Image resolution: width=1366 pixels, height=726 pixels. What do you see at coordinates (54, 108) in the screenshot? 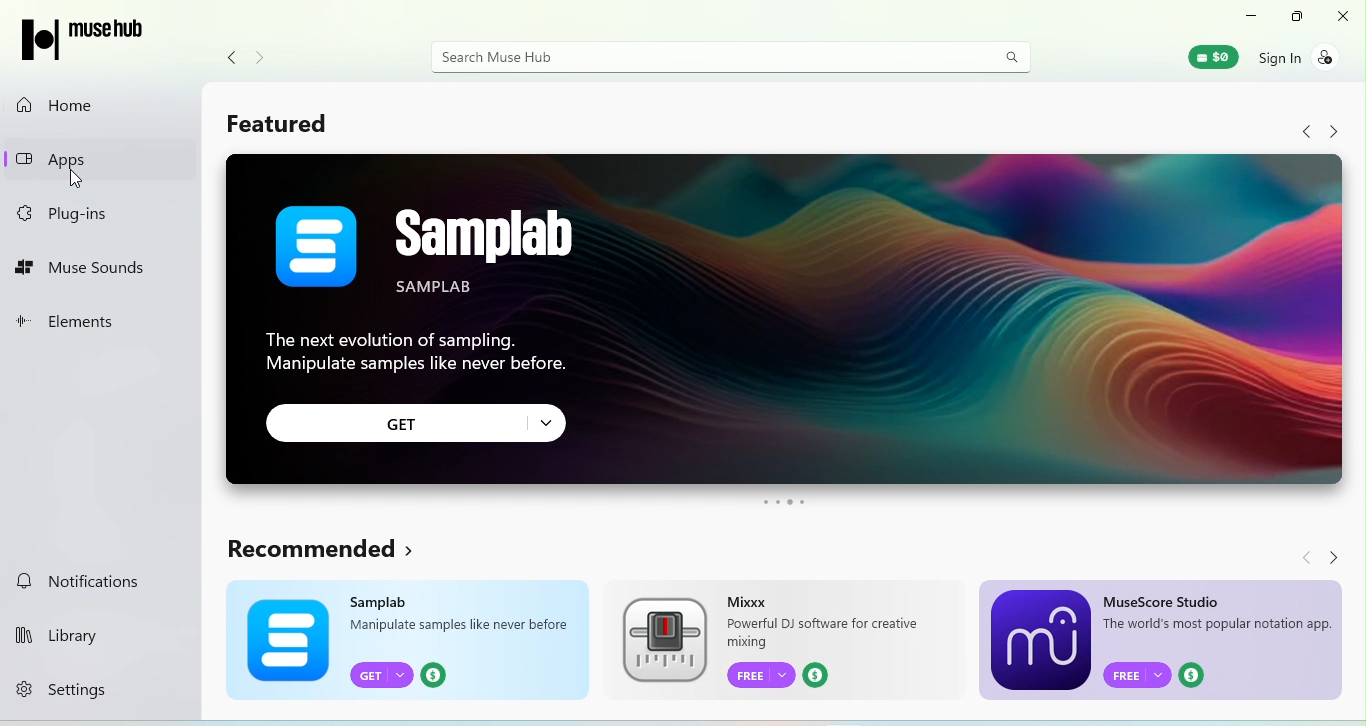
I see `Home tab` at bounding box center [54, 108].